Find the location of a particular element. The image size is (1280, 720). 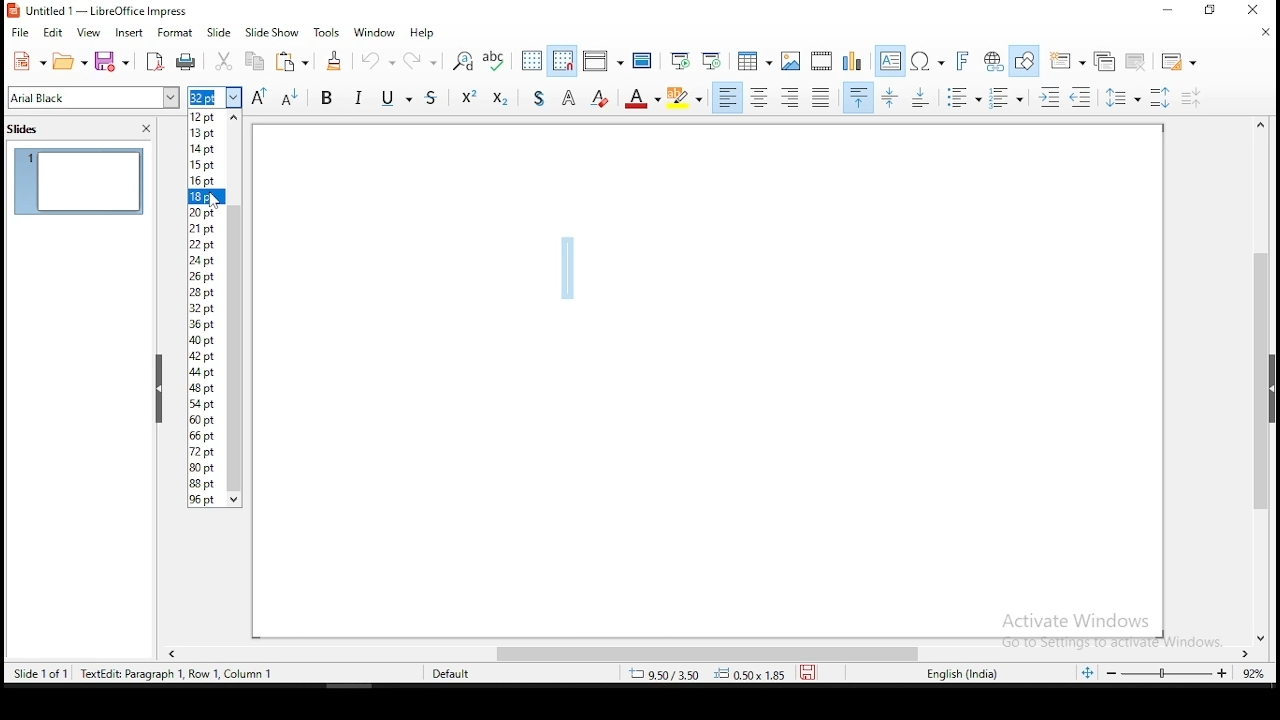

cut is located at coordinates (225, 61).